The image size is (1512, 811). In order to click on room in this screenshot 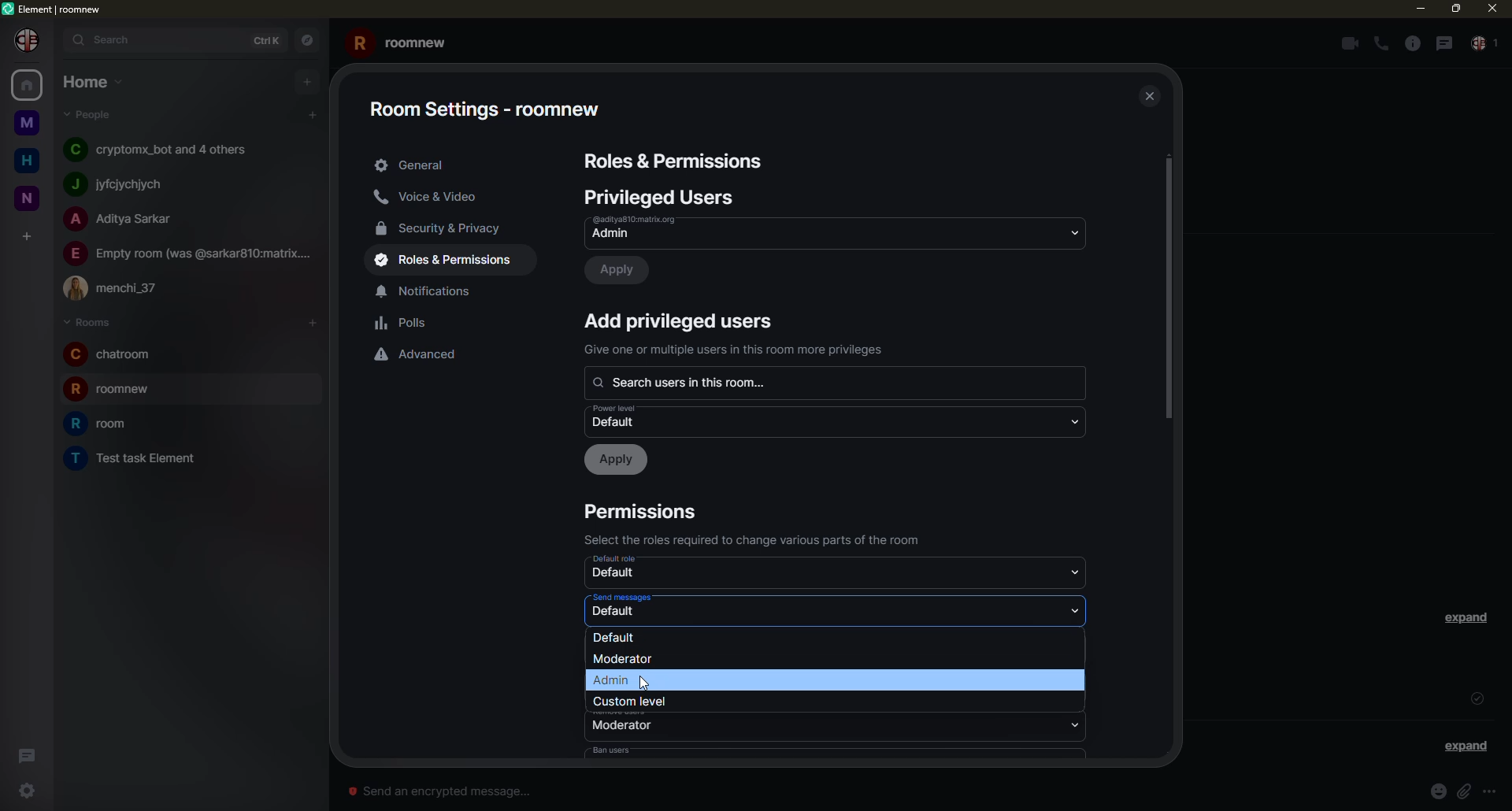, I will do `click(105, 424)`.